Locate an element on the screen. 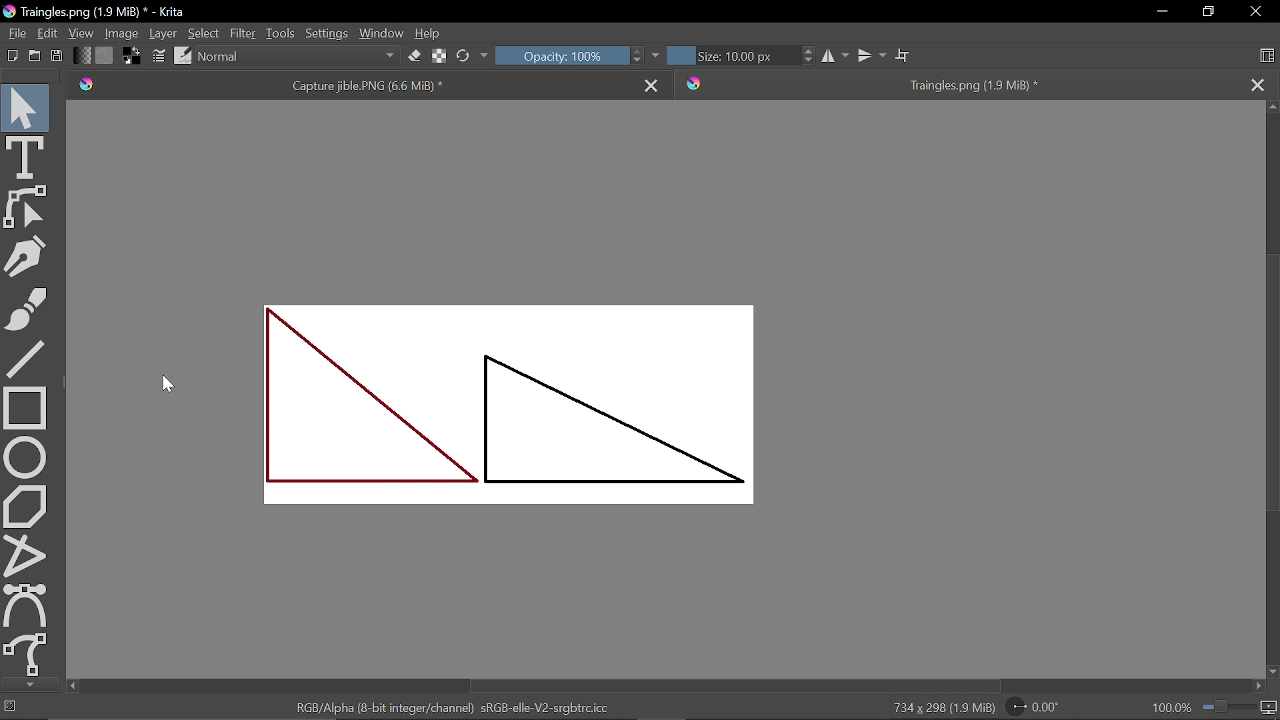 The image size is (1280, 720). Close tab is located at coordinates (653, 82).